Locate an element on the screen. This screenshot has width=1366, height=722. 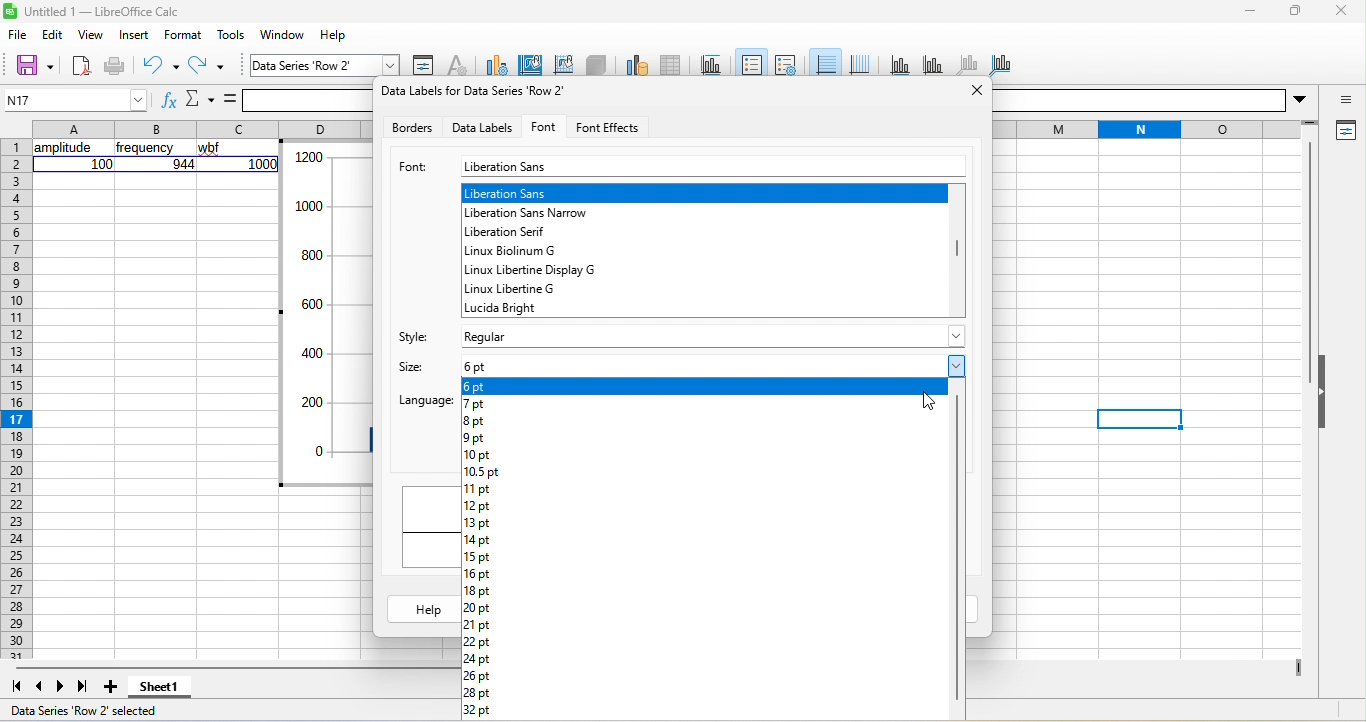
horizontal grid is located at coordinates (824, 61).